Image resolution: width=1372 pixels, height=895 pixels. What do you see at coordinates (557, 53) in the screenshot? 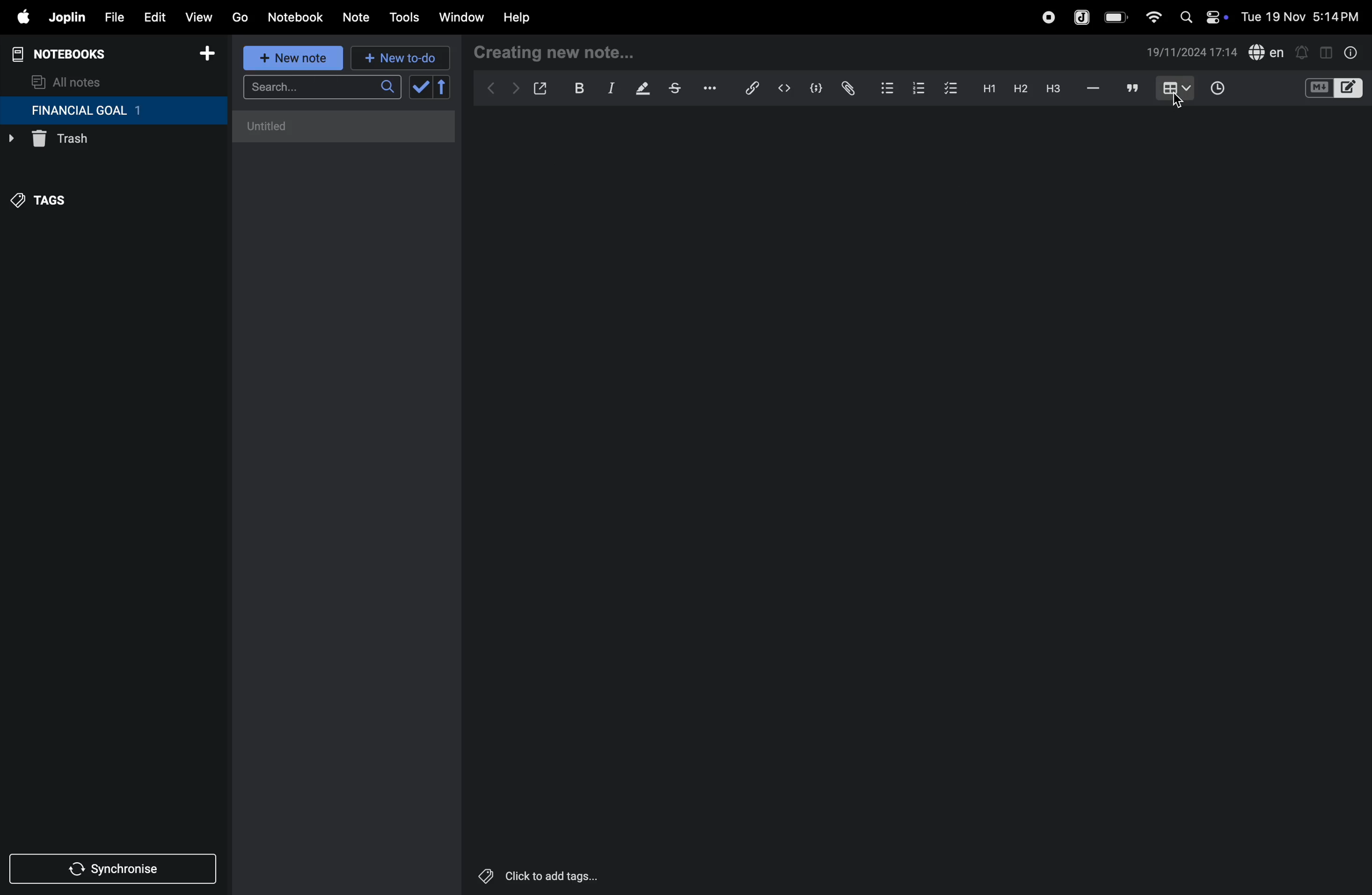
I see `creating new note` at bounding box center [557, 53].